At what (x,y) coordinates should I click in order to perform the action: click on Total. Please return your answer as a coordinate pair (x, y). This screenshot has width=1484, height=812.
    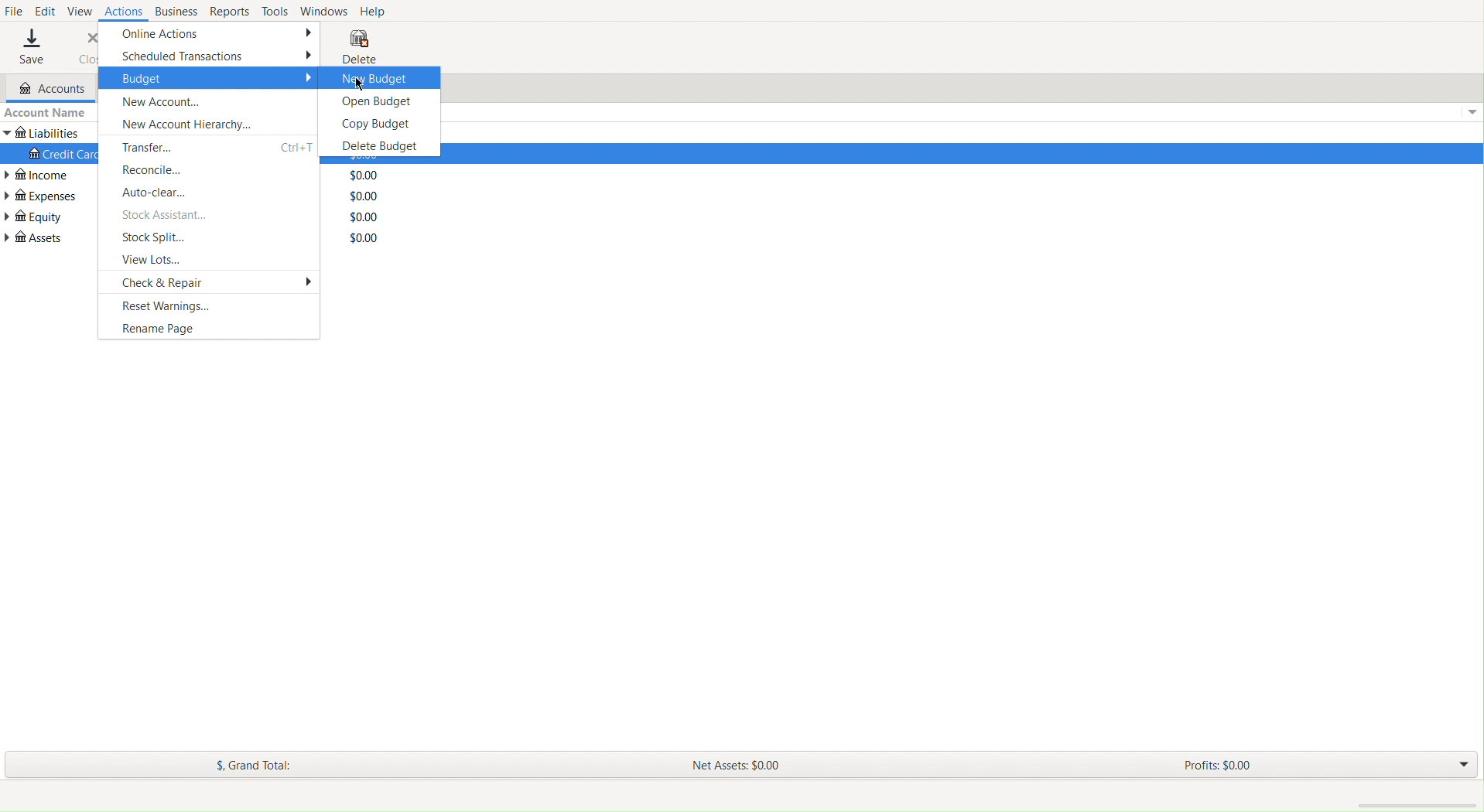
    Looking at the image, I should click on (365, 238).